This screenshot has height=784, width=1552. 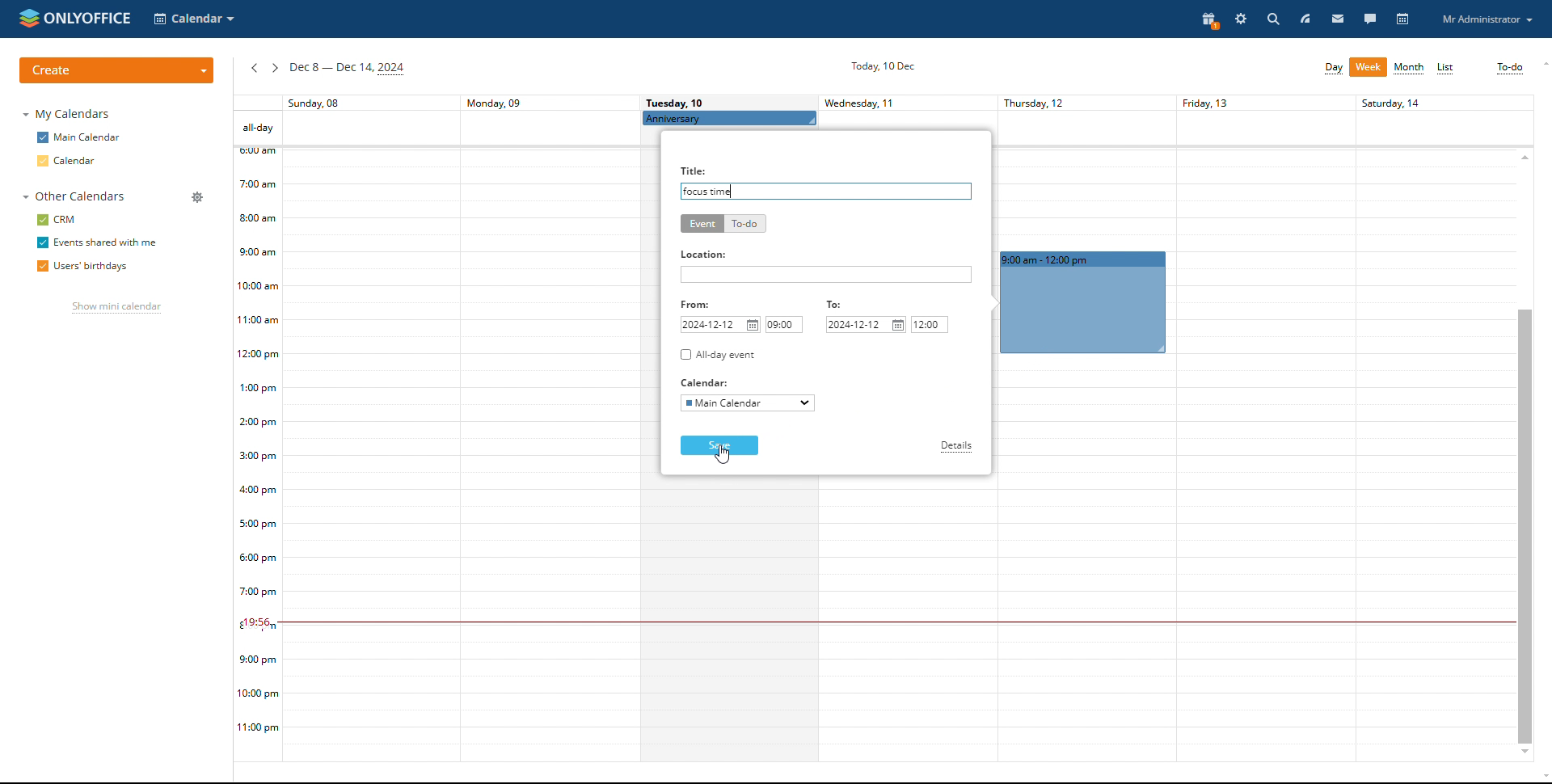 I want to click on other calendars, so click(x=72, y=196).